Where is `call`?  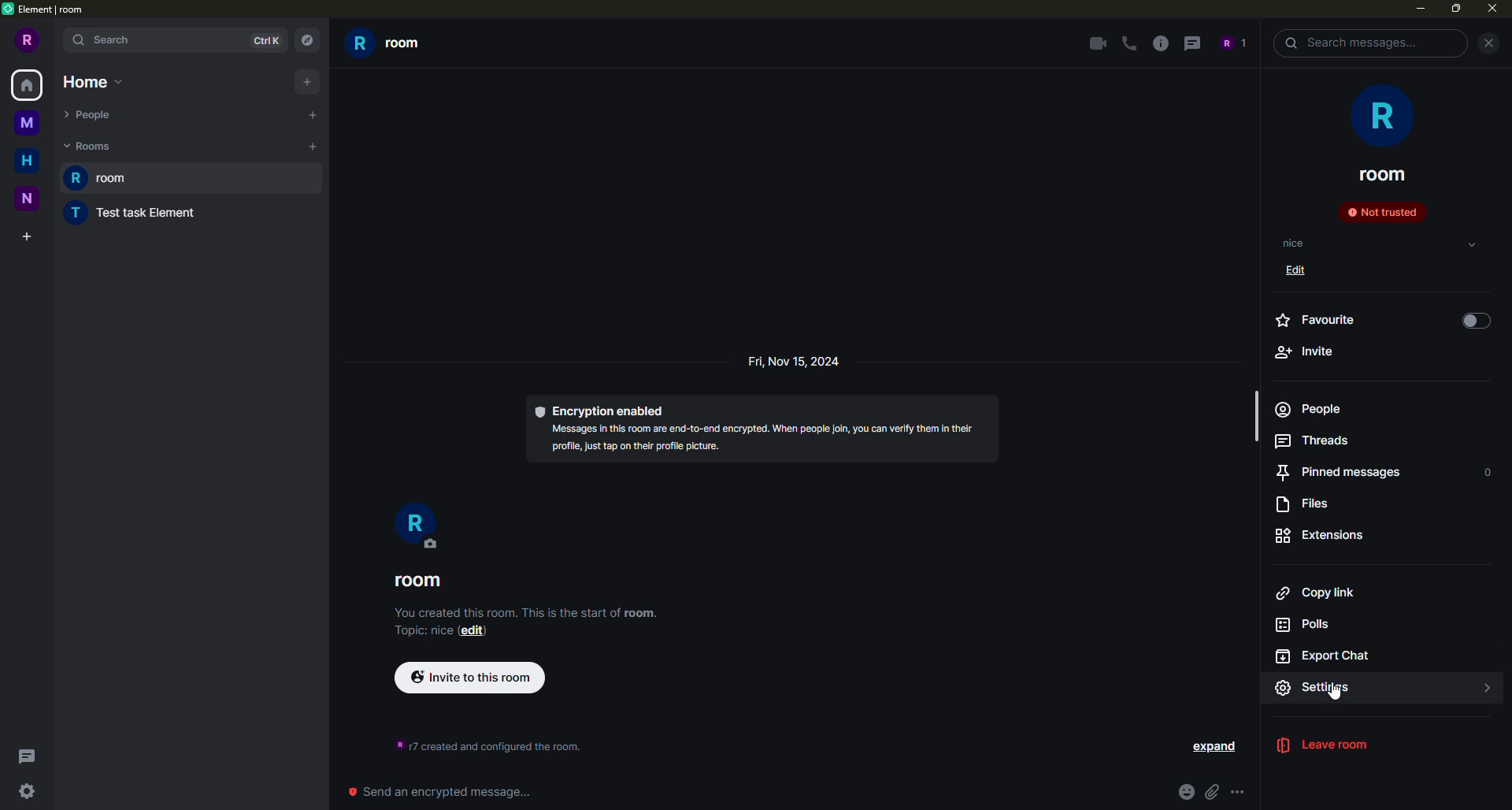
call is located at coordinates (1131, 45).